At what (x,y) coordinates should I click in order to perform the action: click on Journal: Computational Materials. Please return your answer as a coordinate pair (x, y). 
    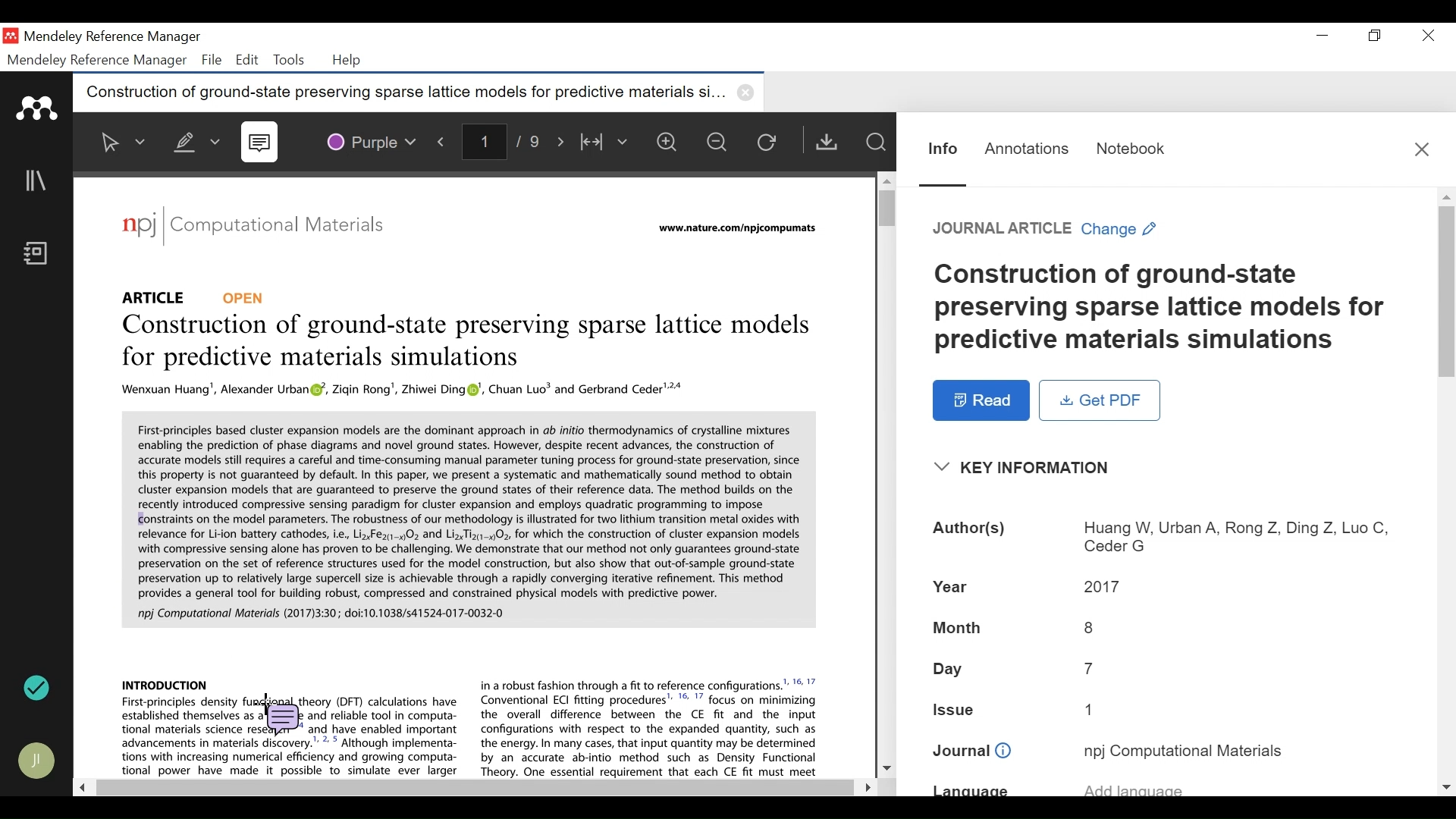
    Looking at the image, I should click on (254, 227).